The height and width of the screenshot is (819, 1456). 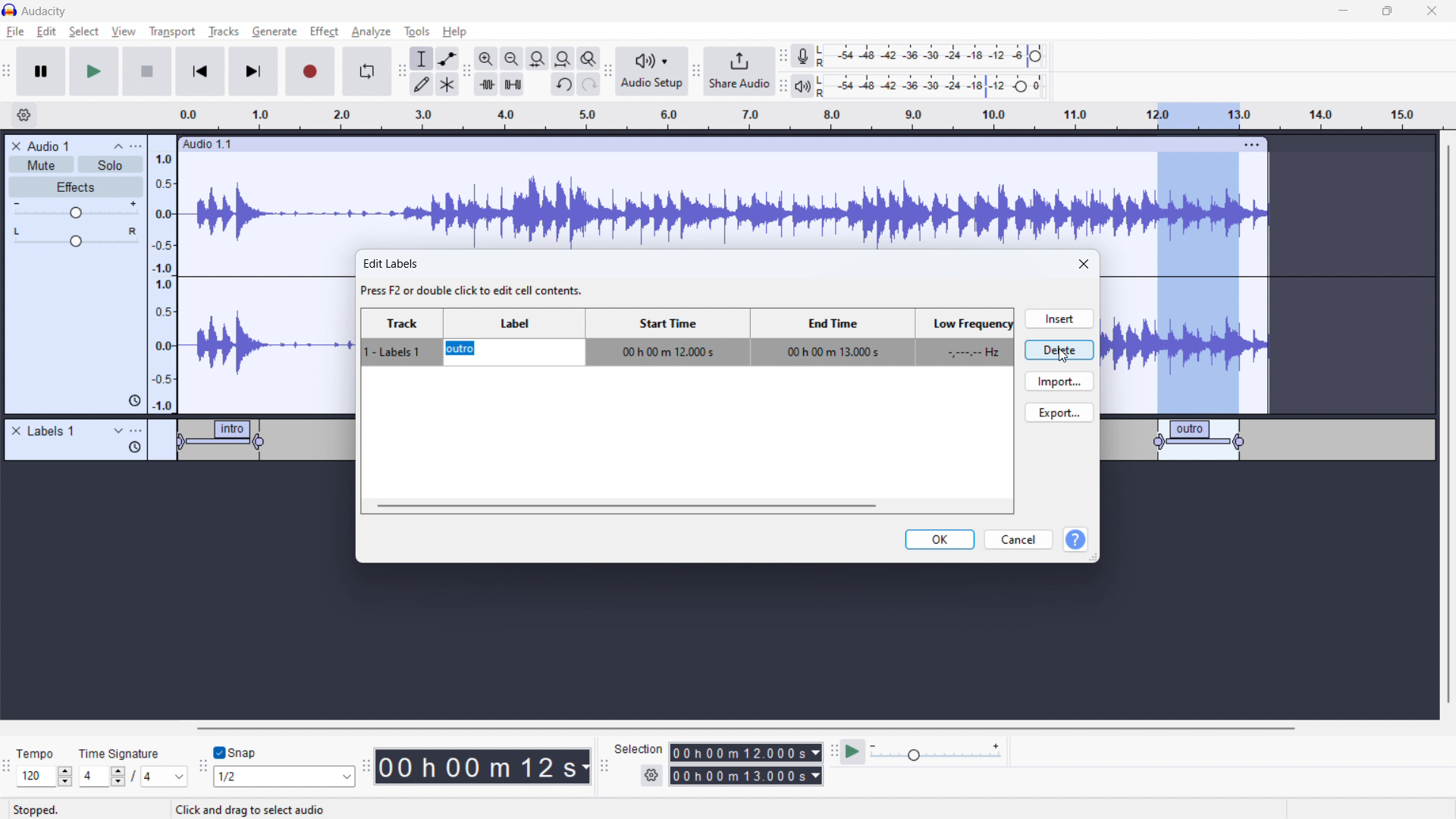 I want to click on playback meter, so click(x=802, y=87).